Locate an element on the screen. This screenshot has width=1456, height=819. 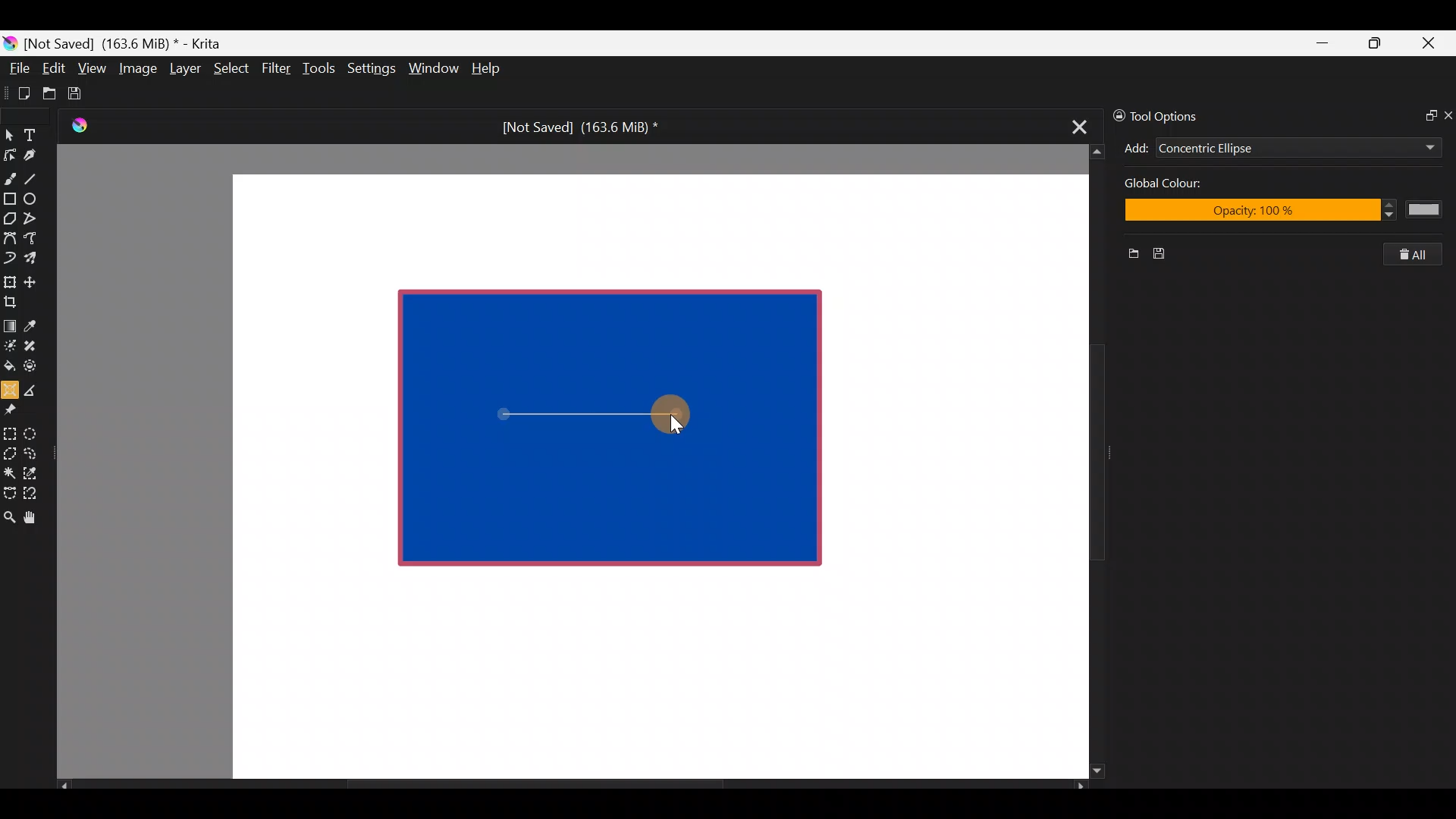
Polygon tool is located at coordinates (9, 219).